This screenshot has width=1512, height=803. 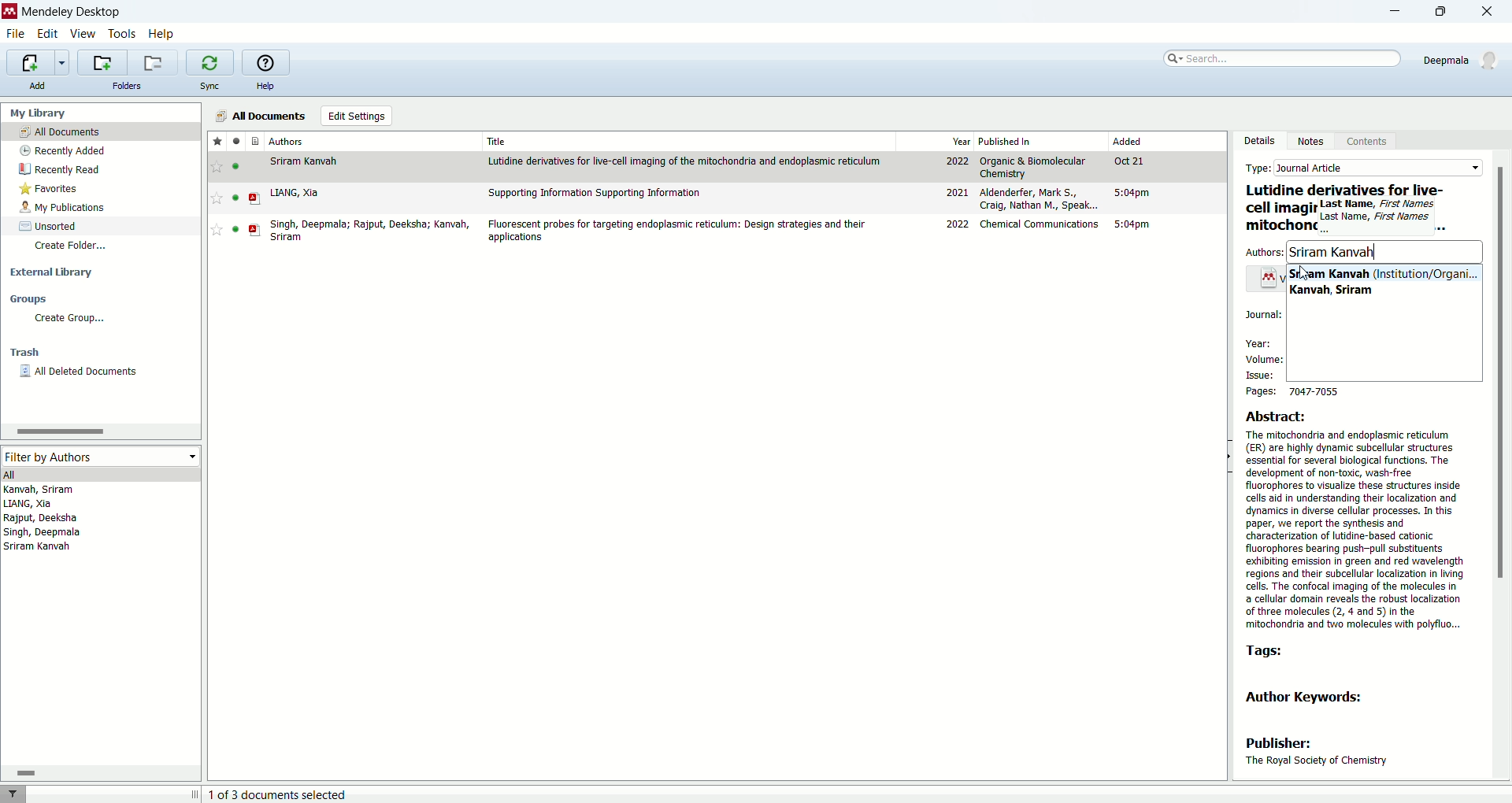 I want to click on Abstract:

The mitochondria and endoplasmic reticulum
(ER) are highly dynamic subcellular structures
essential for several biological functions. The
development of non-toxic, wash-free
fluorophores to visualize these structures inside
cells aid in understanding their localization and
dynamics in diverse cellular processes. In this
paper, we report the synthesis and
characterization of utidine-based cationic
fluorophores bearing push-pull substituents
exhibiting emission in green and red wavelength
regions and their subcellular localization in living
cells. The confocal imaging of the molecules in
a cellular domain reveals the robust localization
of three molecules (2, 4 and 5) in the
‘mitochondria and two molecules with polyfiuo..., so click(x=1358, y=519).